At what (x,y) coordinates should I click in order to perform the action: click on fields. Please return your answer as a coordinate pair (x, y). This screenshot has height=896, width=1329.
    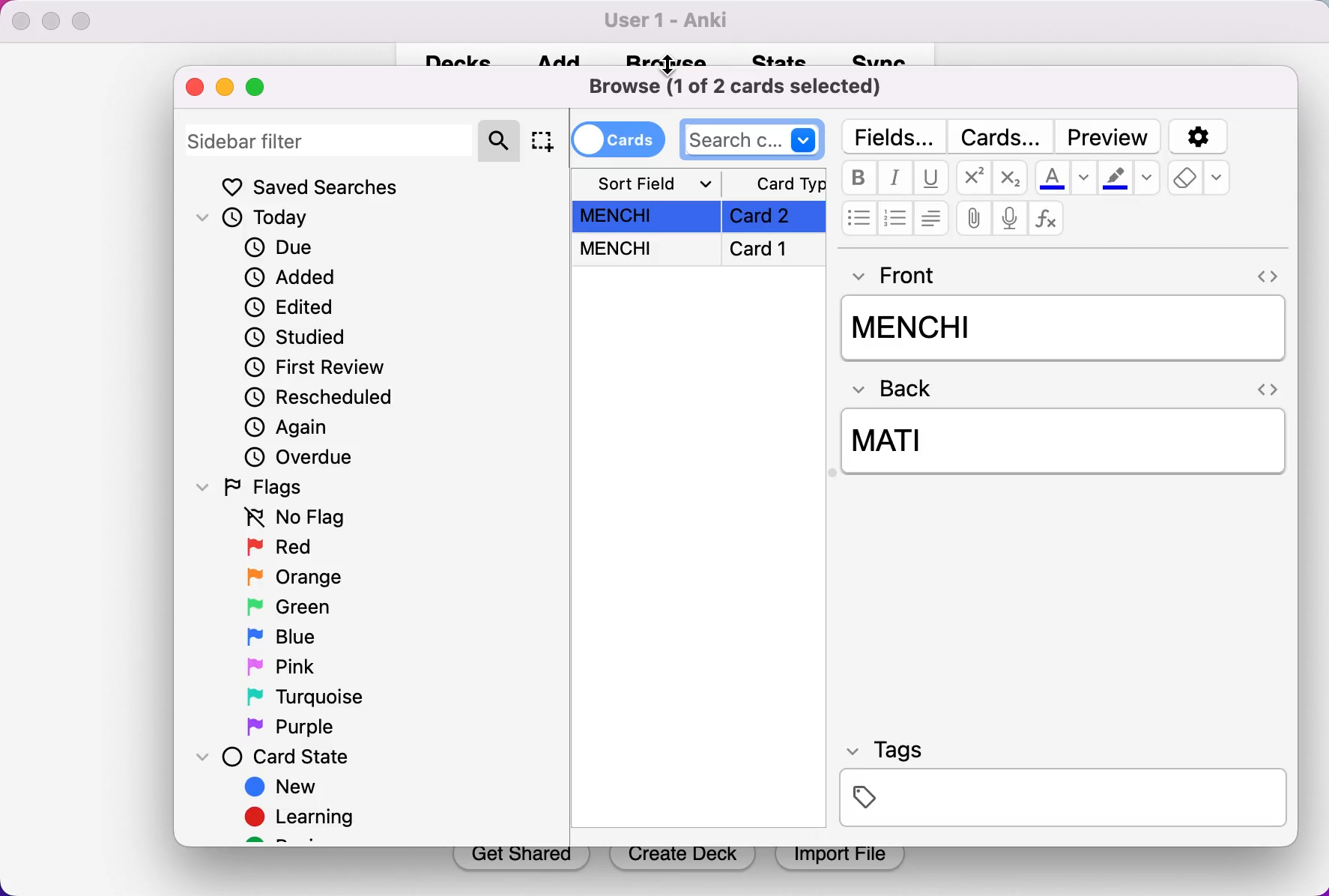
    Looking at the image, I should click on (894, 135).